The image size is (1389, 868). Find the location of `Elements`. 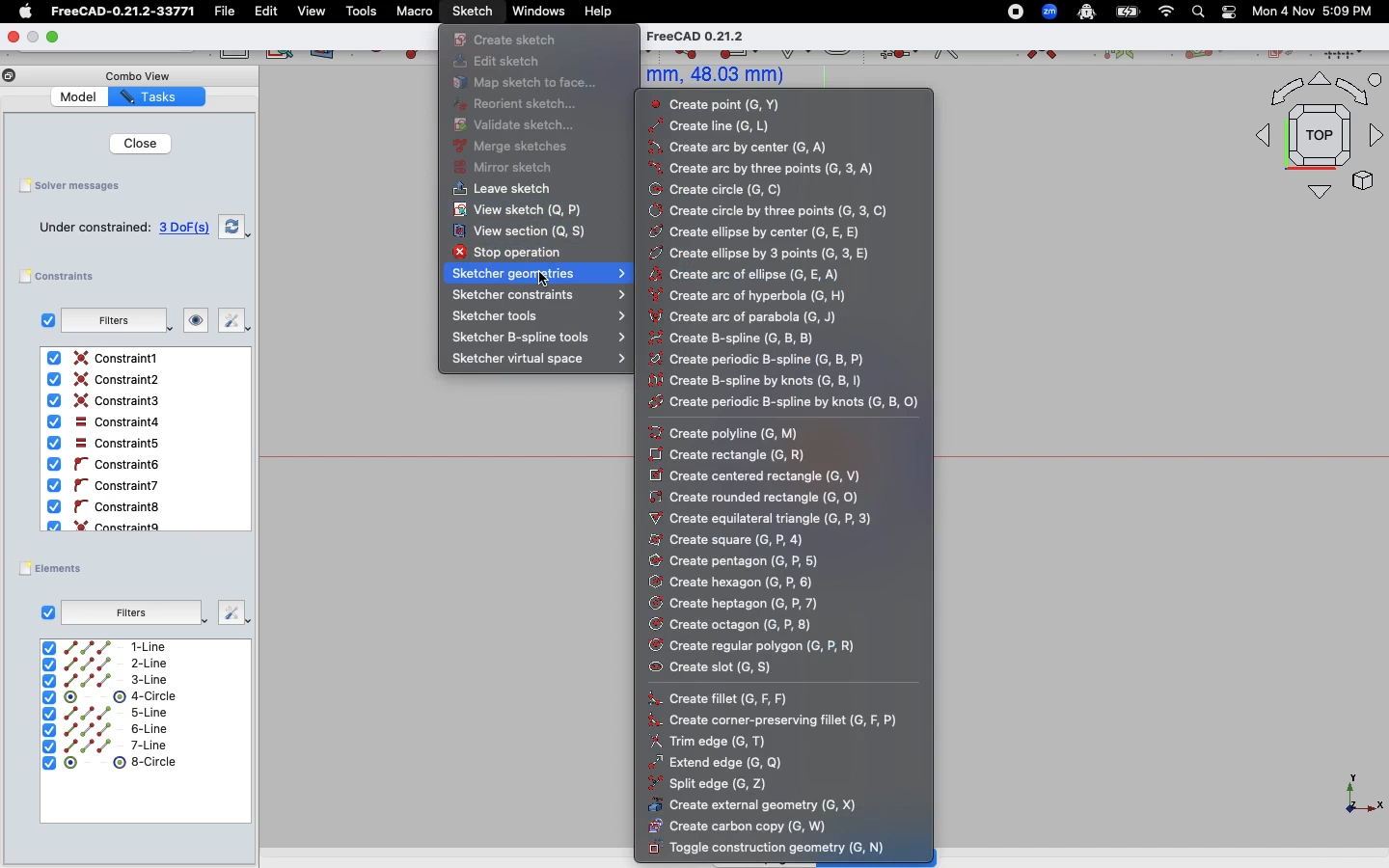

Elements is located at coordinates (56, 568).